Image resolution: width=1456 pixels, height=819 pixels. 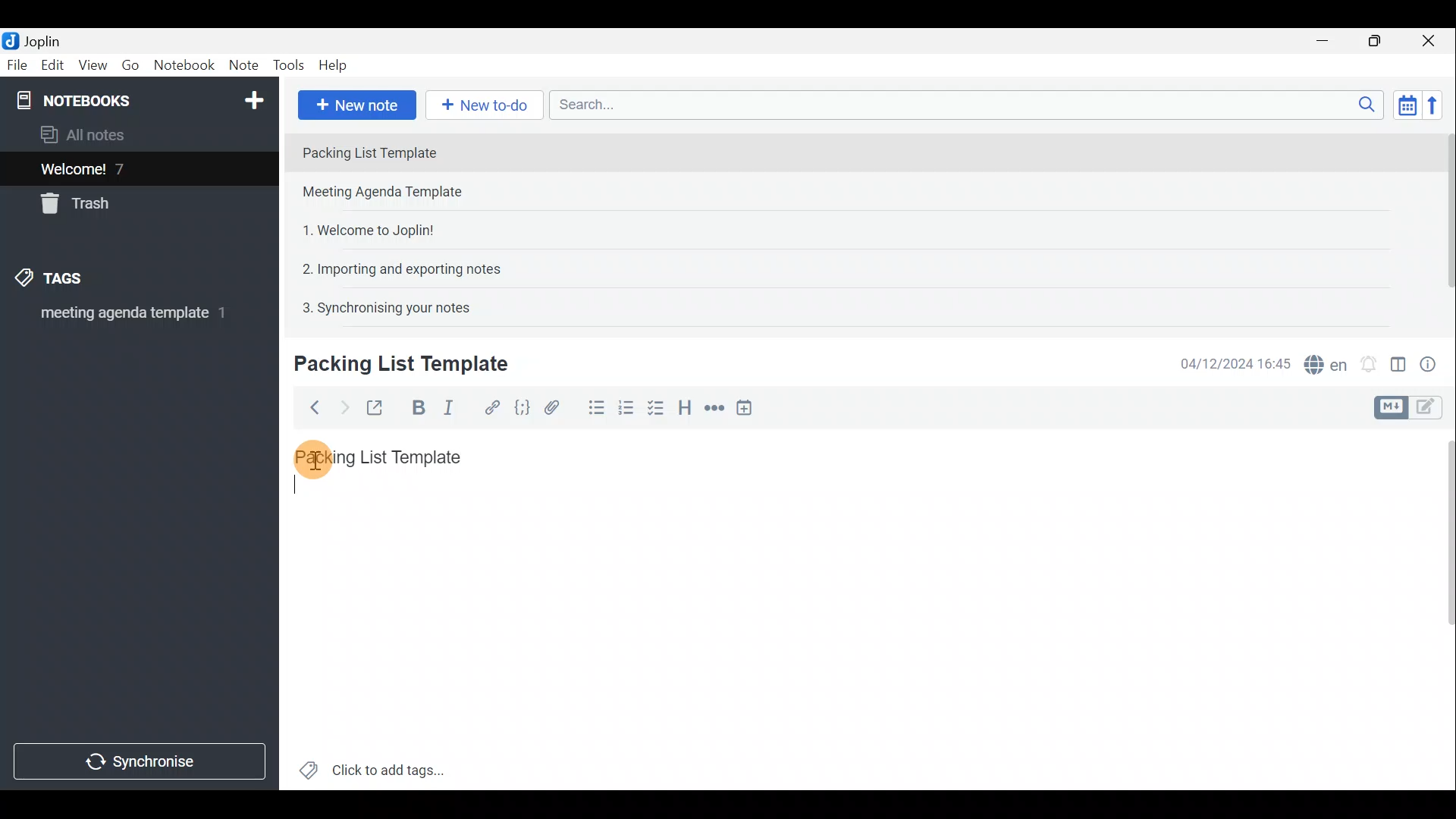 What do you see at coordinates (1322, 362) in the screenshot?
I see `Spell checker` at bounding box center [1322, 362].